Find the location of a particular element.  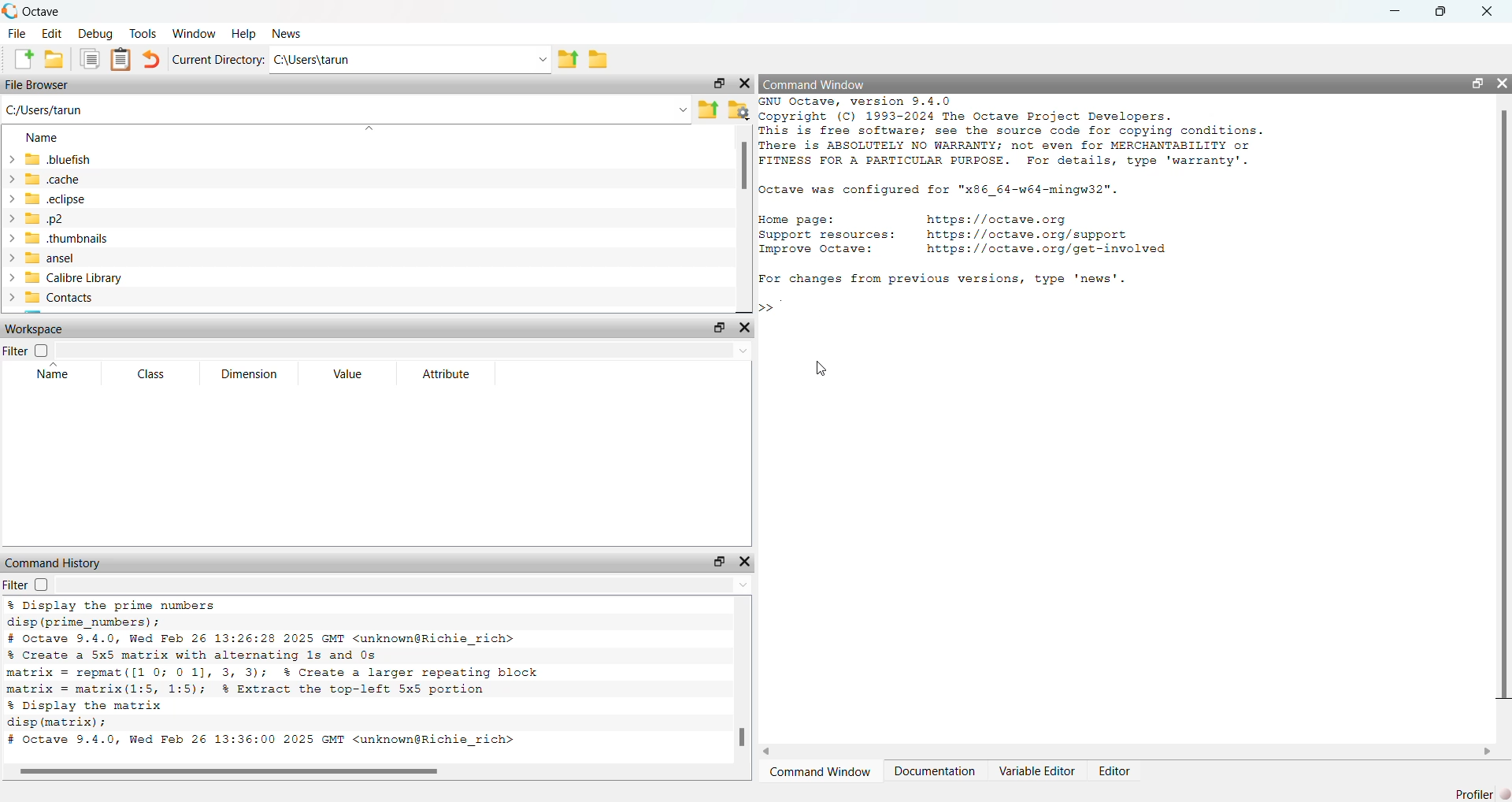

news is located at coordinates (287, 33).